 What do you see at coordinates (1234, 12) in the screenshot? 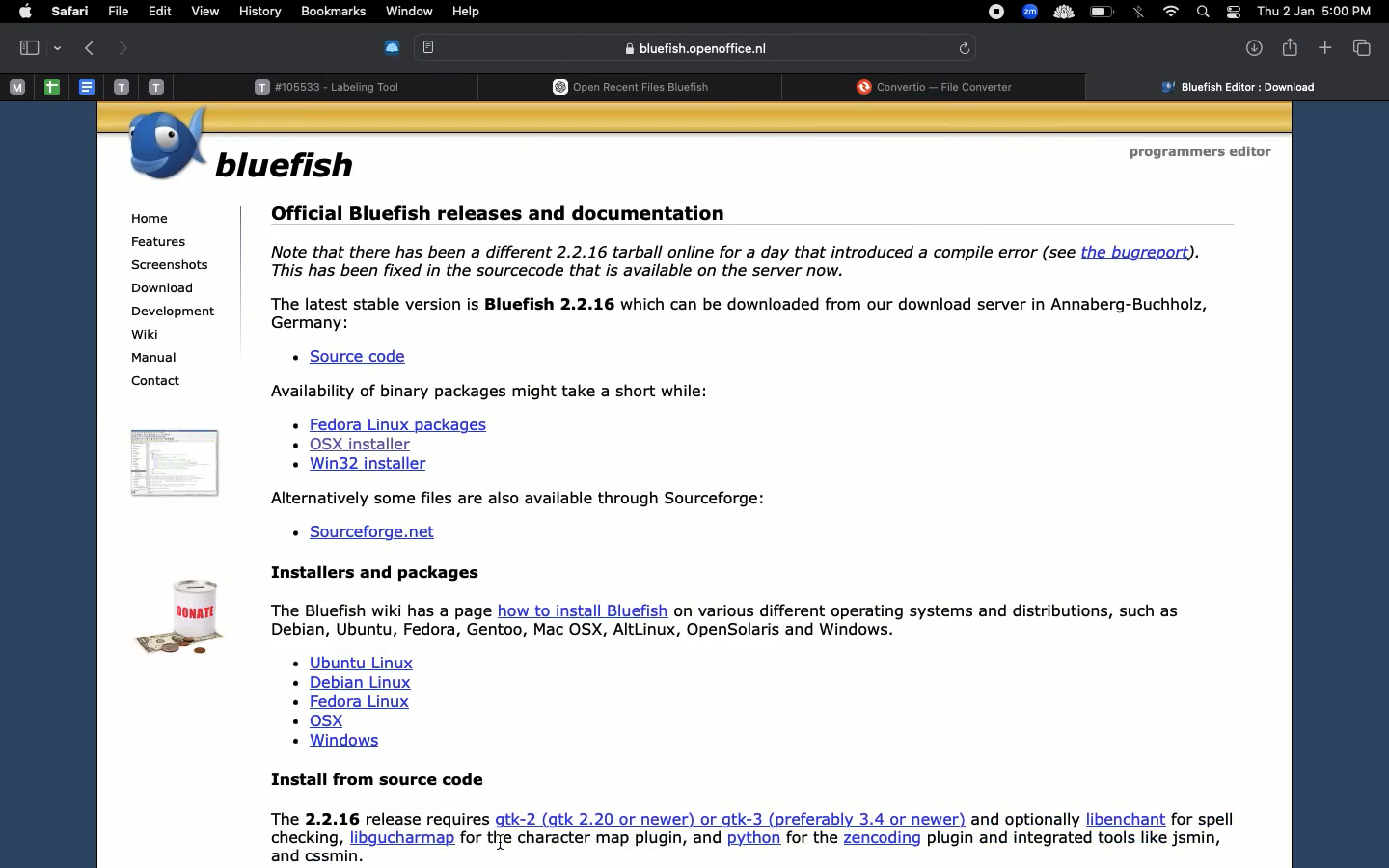
I see `notification` at bounding box center [1234, 12].